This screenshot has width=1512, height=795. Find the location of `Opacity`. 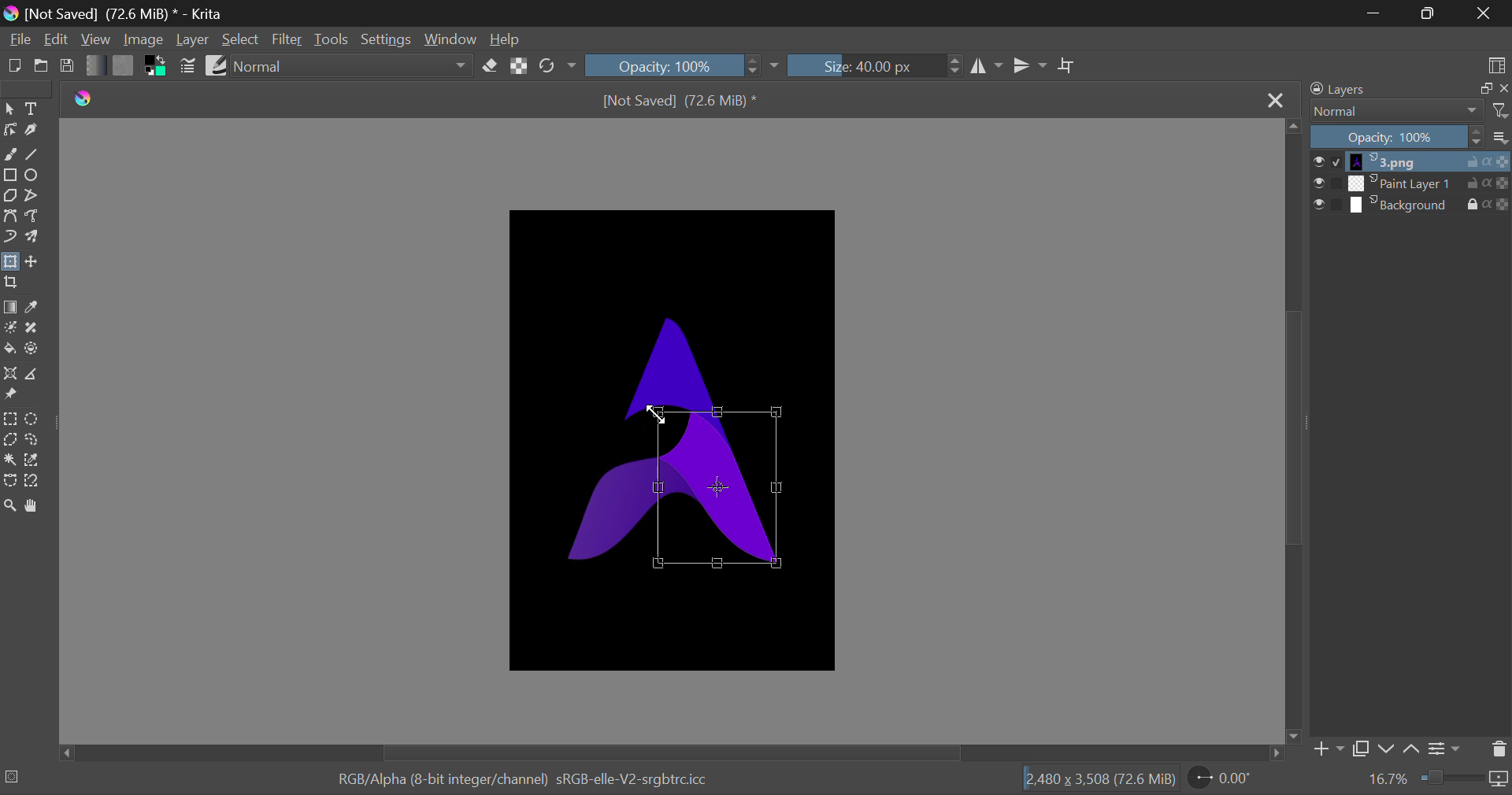

Opacity is located at coordinates (674, 67).